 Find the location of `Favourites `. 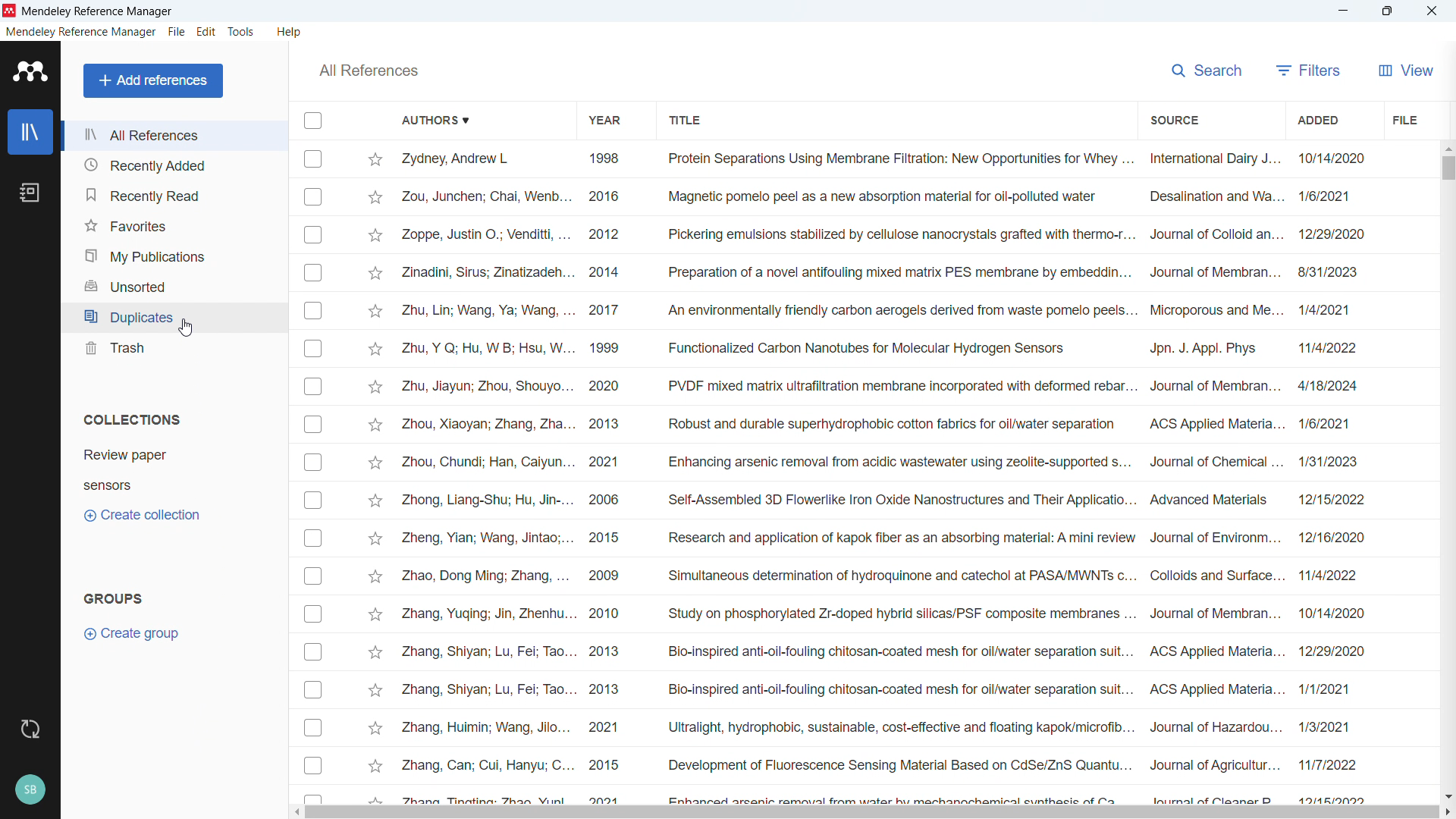

Favourites  is located at coordinates (173, 223).